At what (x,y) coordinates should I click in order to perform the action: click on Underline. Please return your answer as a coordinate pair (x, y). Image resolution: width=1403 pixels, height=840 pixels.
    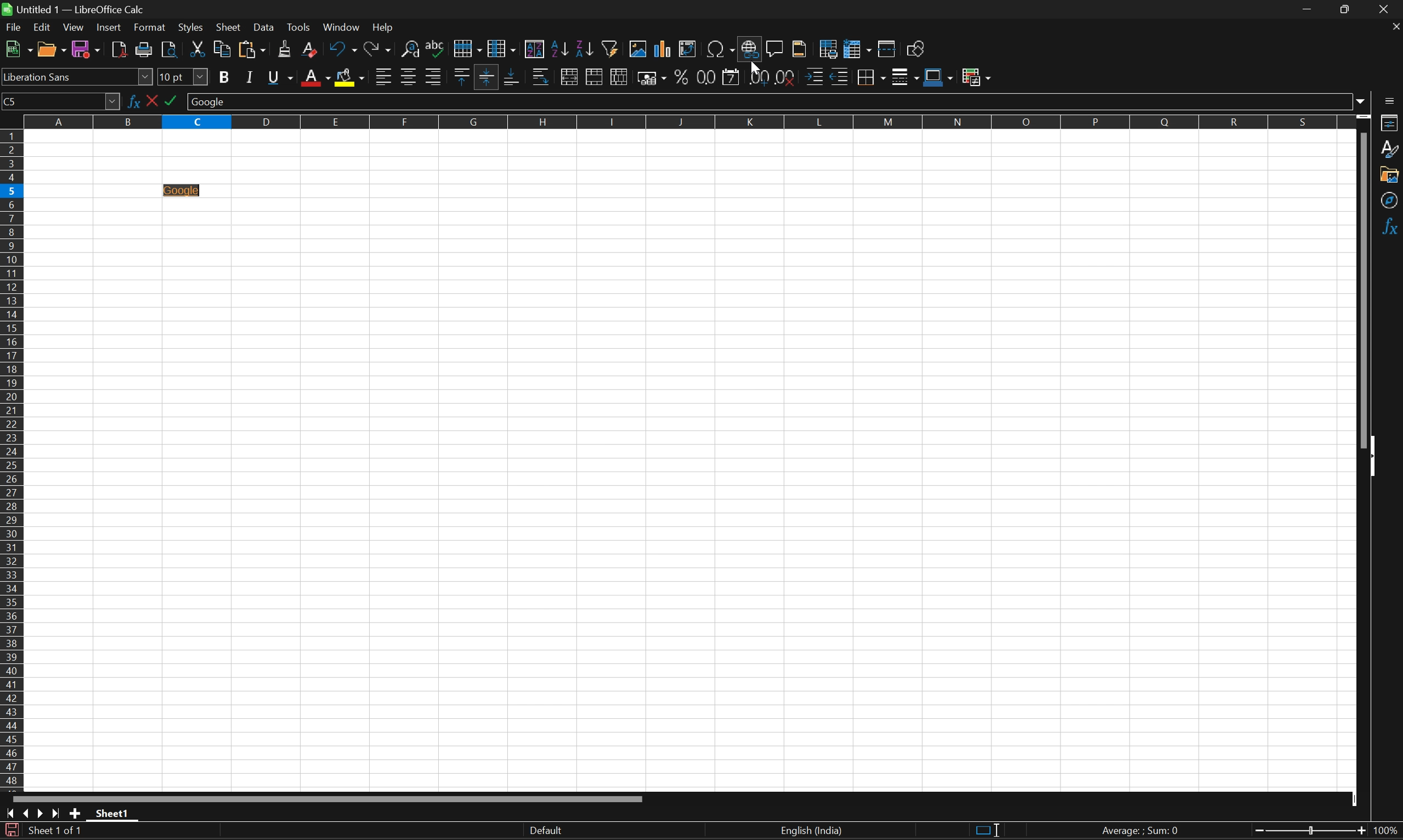
    Looking at the image, I should click on (282, 76).